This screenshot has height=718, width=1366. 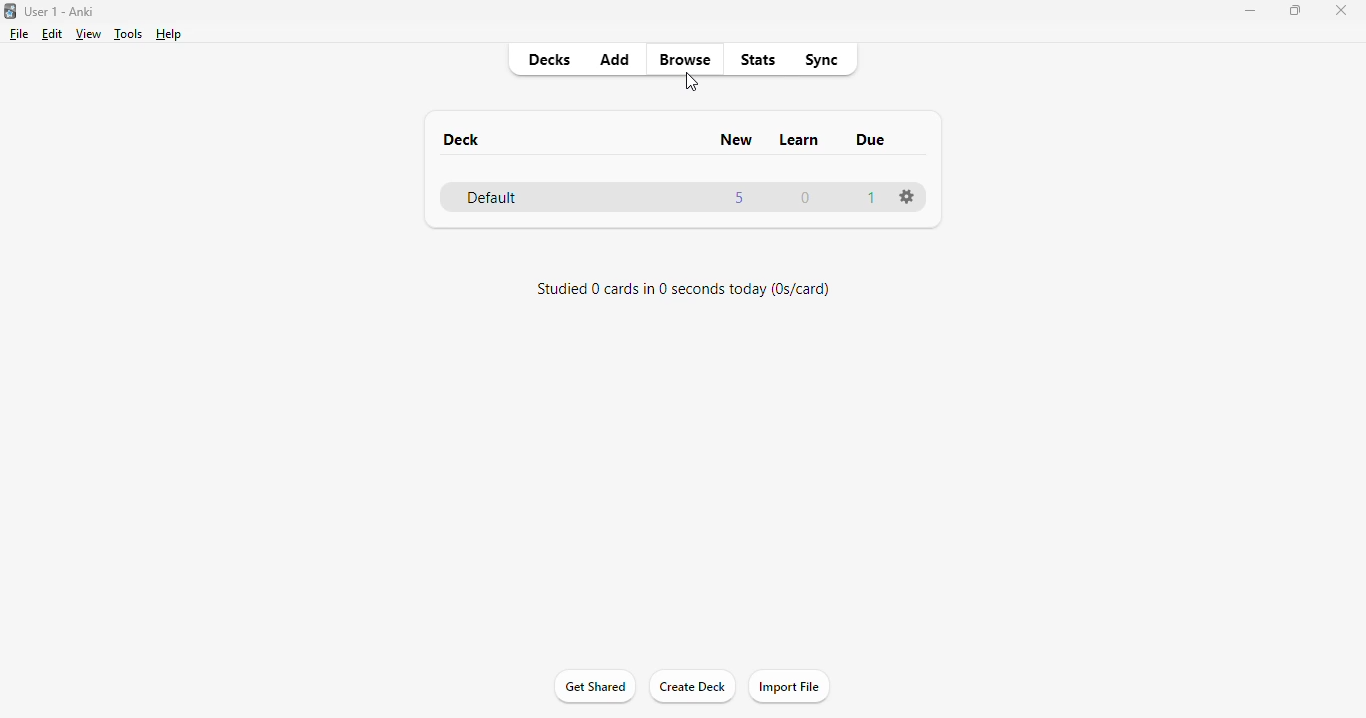 What do you see at coordinates (821, 60) in the screenshot?
I see `sync` at bounding box center [821, 60].